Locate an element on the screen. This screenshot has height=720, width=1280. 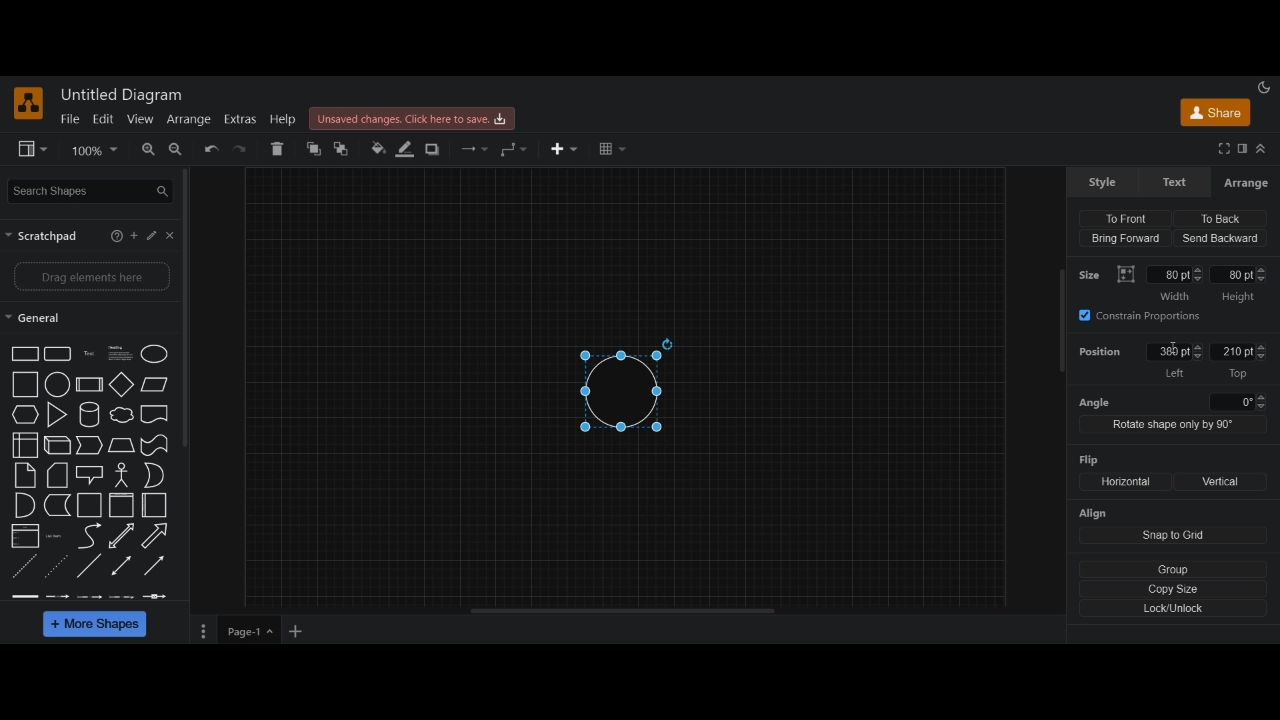
line is located at coordinates (89, 565).